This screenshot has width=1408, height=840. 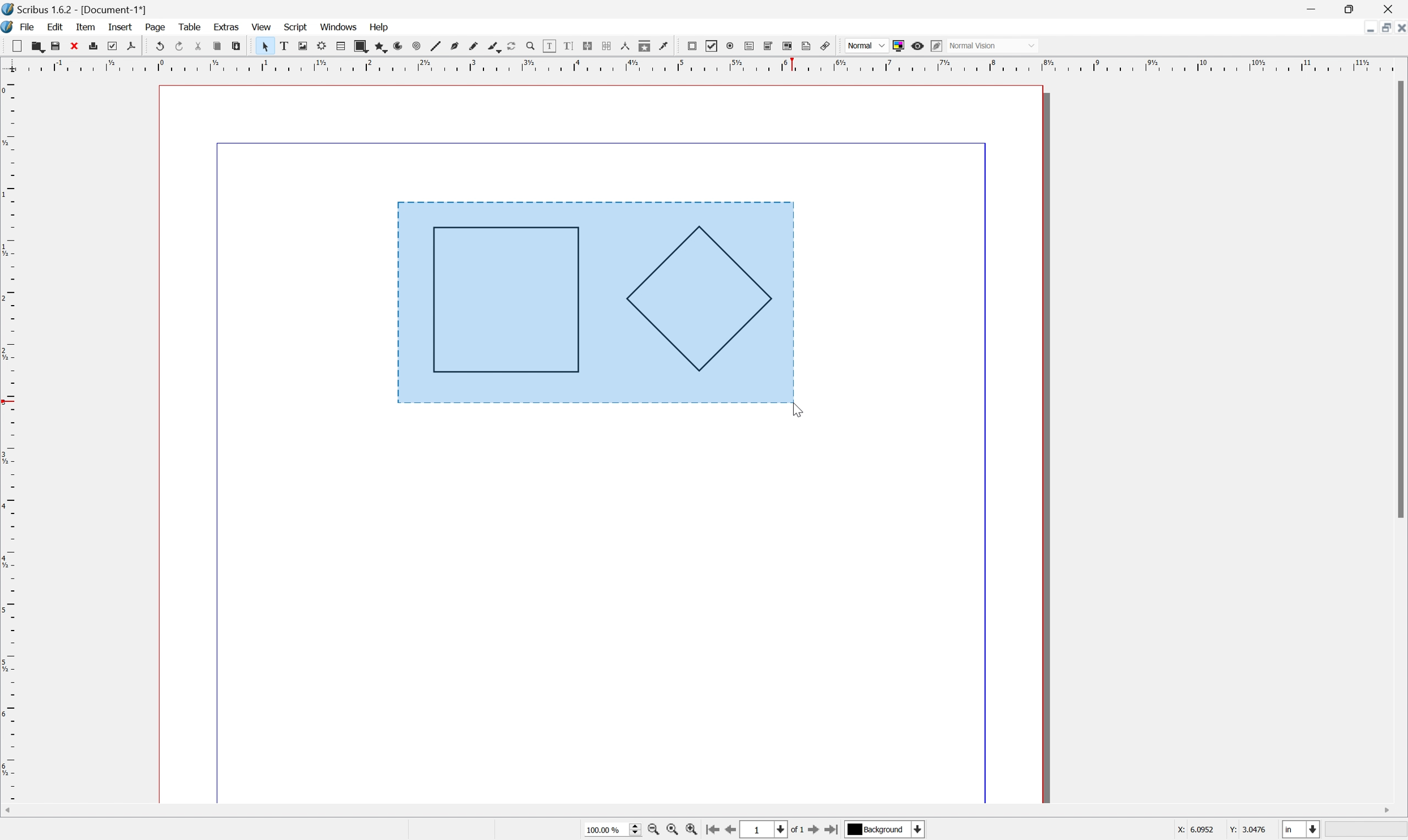 I want to click on Cursor, so click(x=792, y=404).